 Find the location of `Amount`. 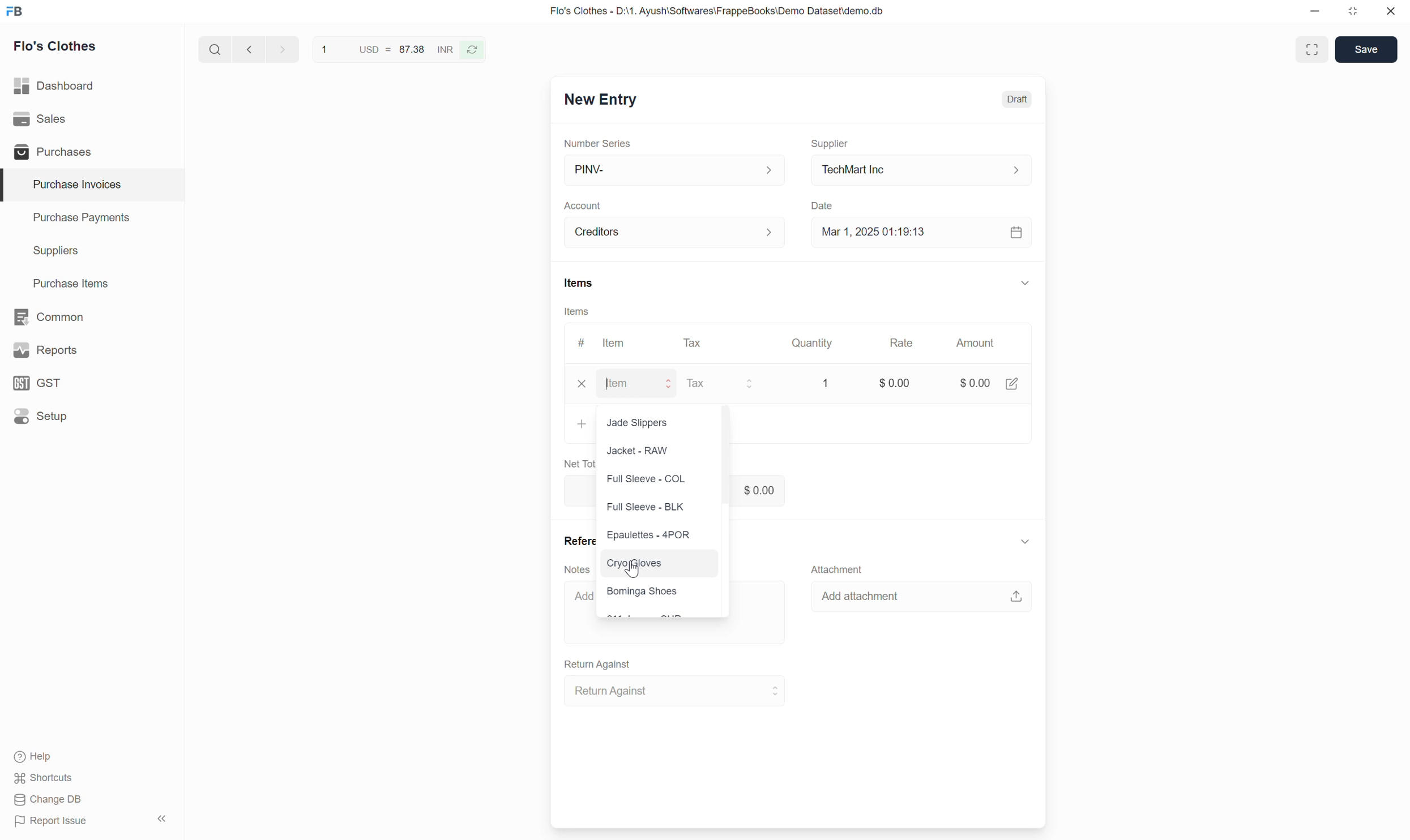

Amount is located at coordinates (973, 345).